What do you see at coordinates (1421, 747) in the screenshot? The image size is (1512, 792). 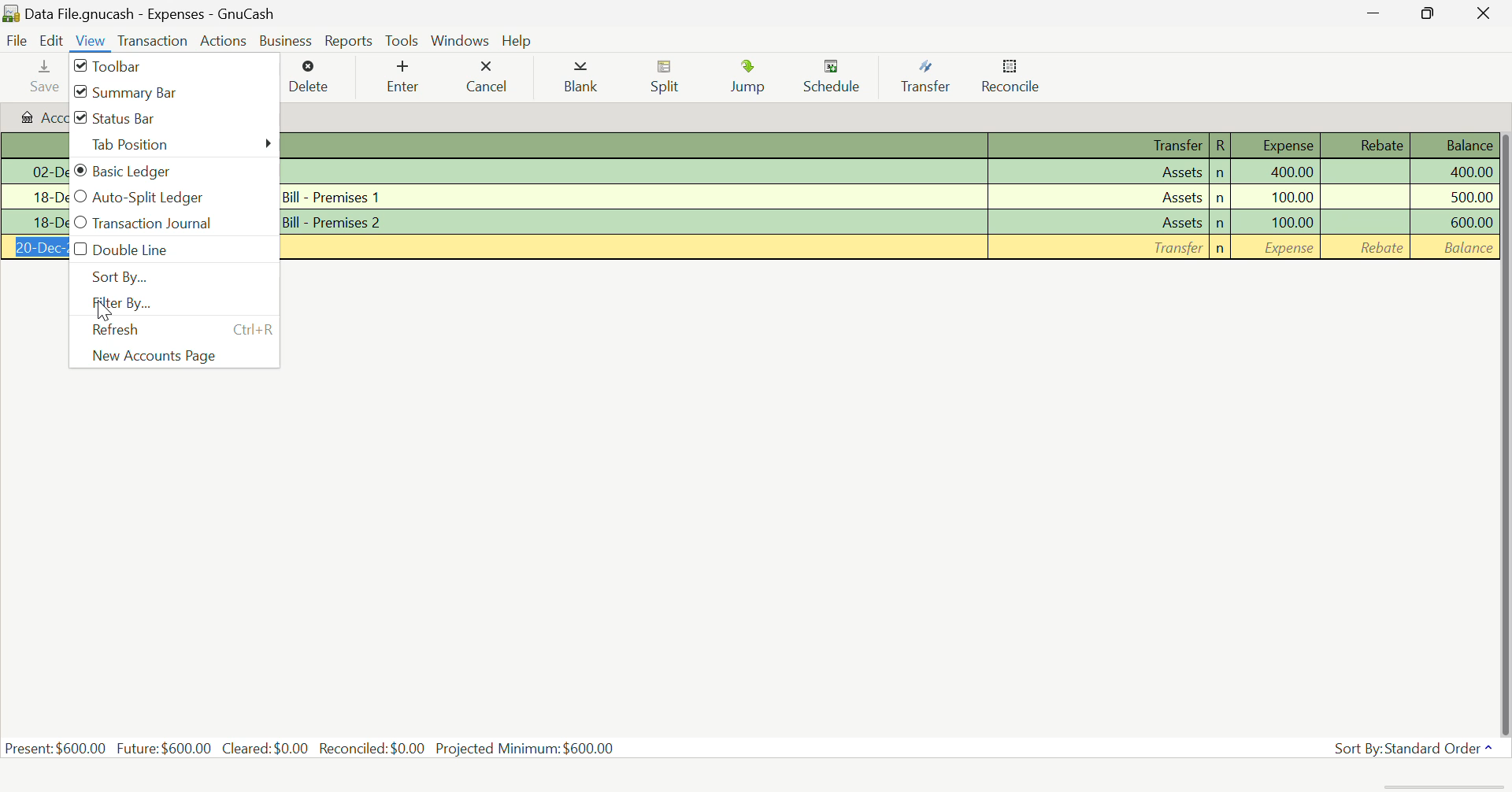 I see `Sort By: Standard Order` at bounding box center [1421, 747].